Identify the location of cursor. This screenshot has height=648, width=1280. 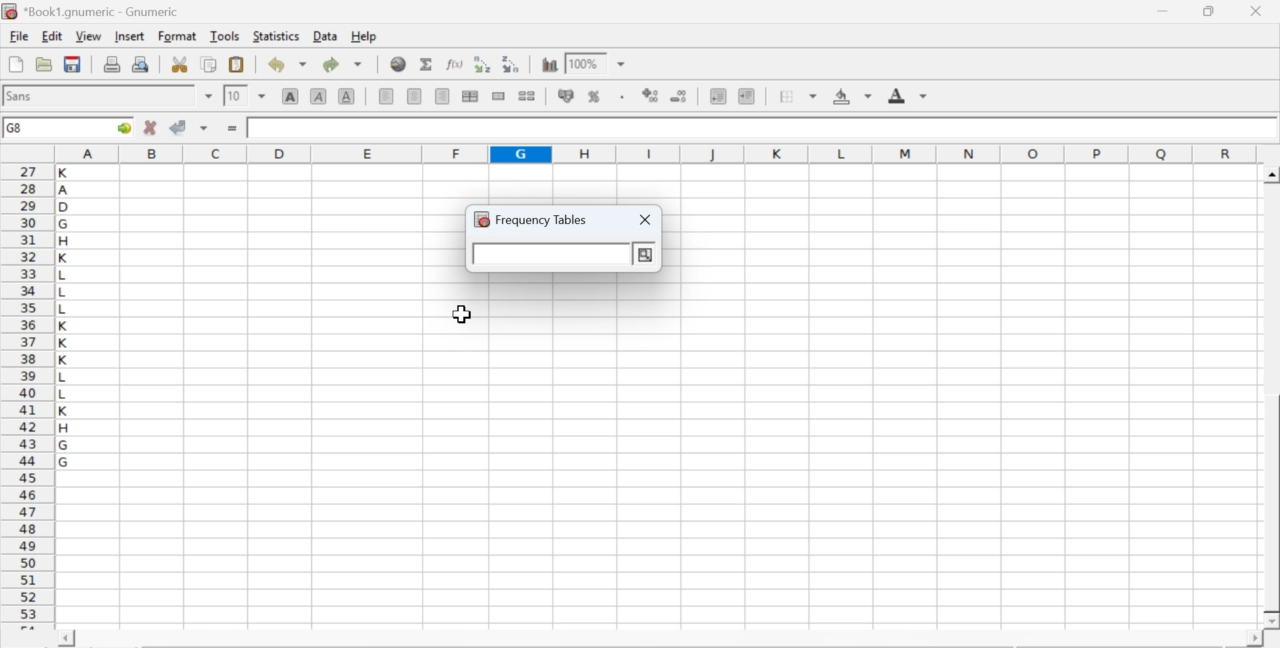
(463, 315).